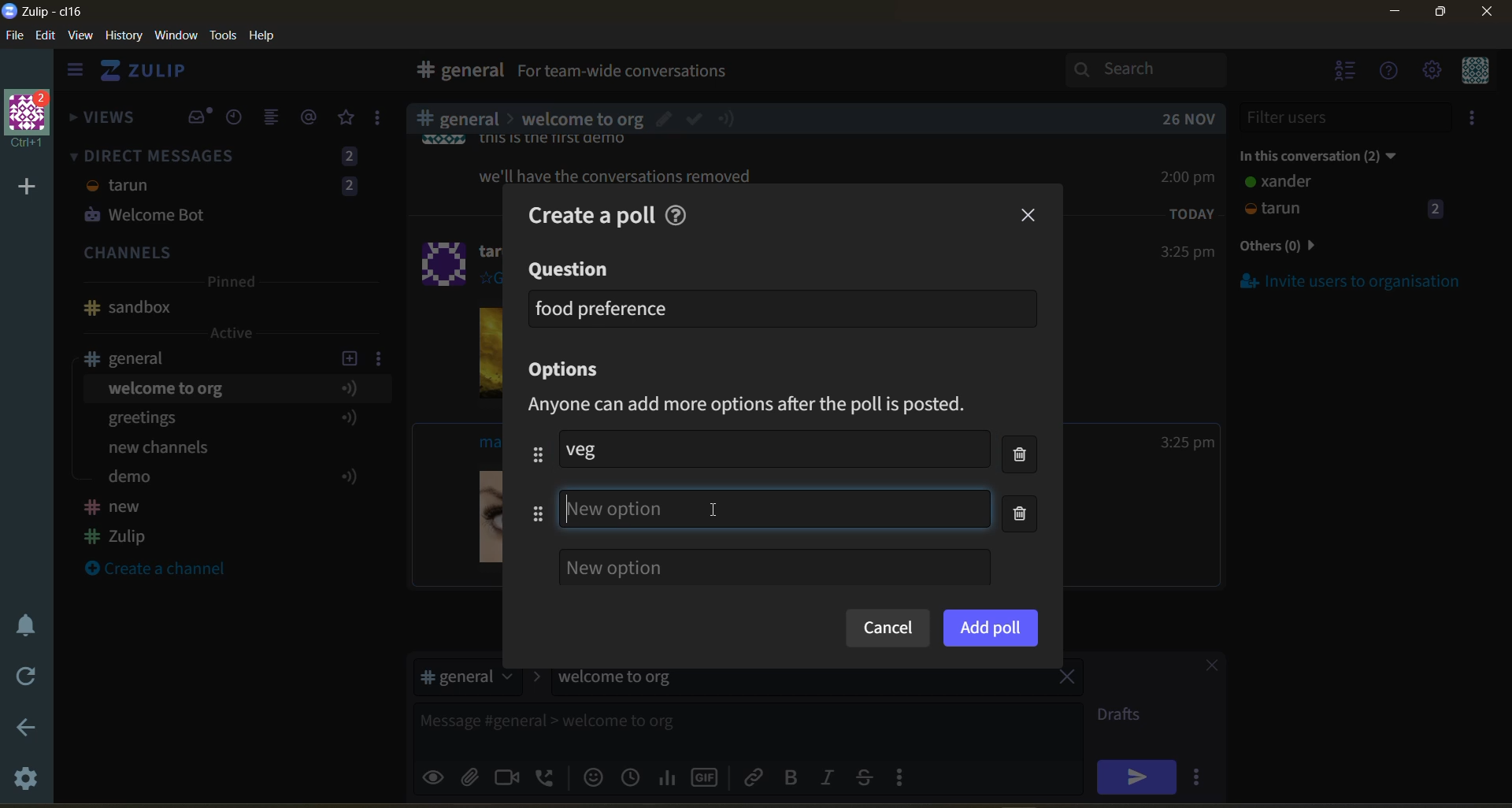 Image resolution: width=1512 pixels, height=808 pixels. I want to click on remove topic, so click(1067, 679).